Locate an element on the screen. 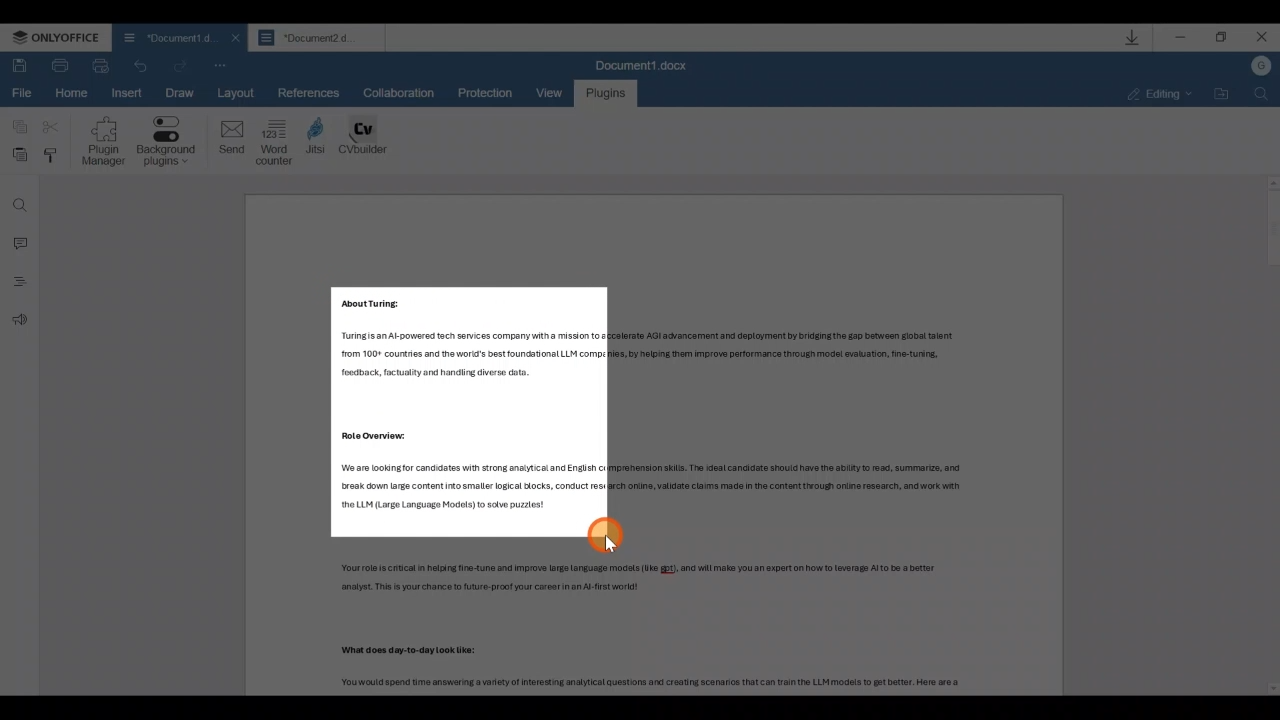 The image size is (1280, 720). Minimize is located at coordinates (1180, 40).